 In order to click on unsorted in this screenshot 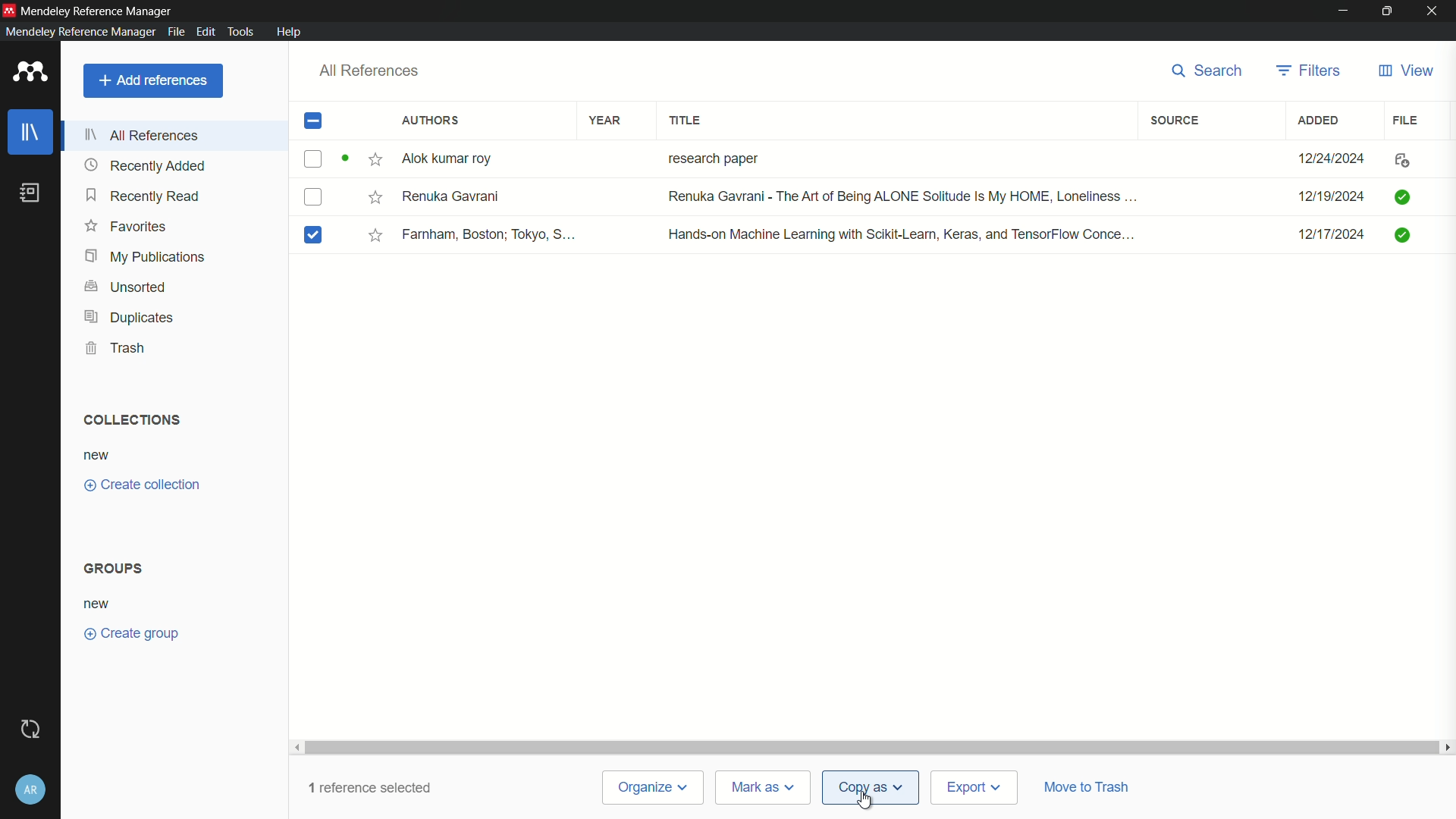, I will do `click(126, 287)`.